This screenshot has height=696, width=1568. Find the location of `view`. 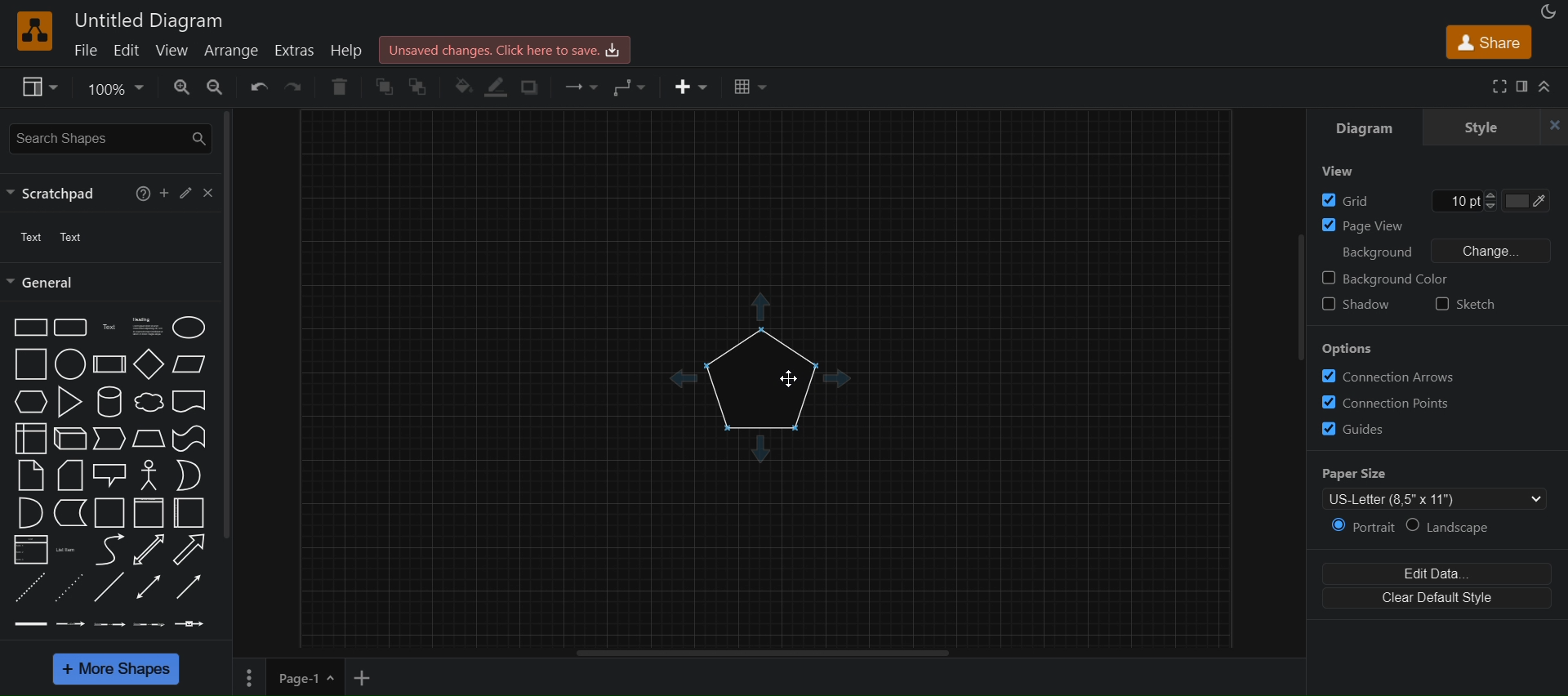

view is located at coordinates (176, 49).